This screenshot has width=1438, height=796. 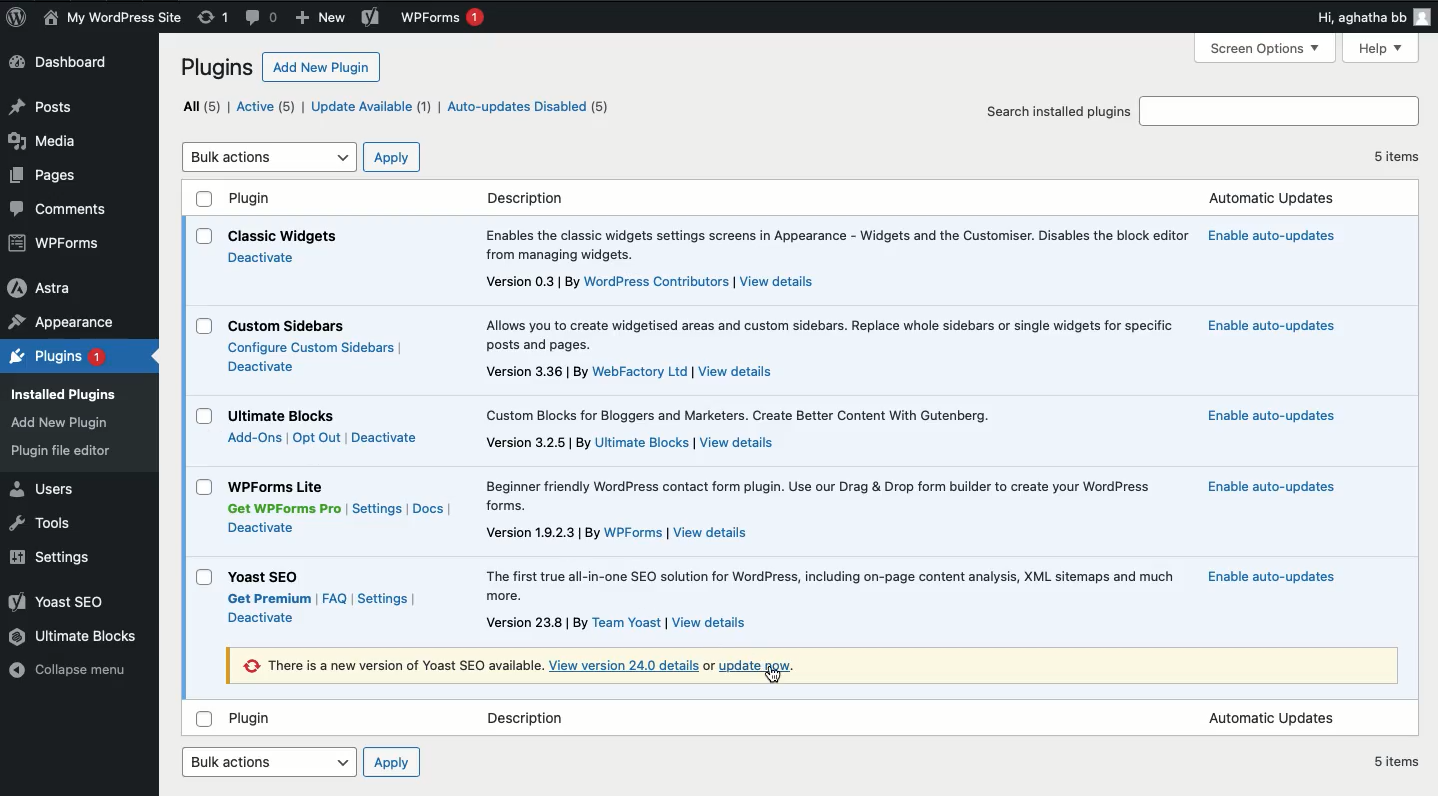 I want to click on 5 items, so click(x=1397, y=156).